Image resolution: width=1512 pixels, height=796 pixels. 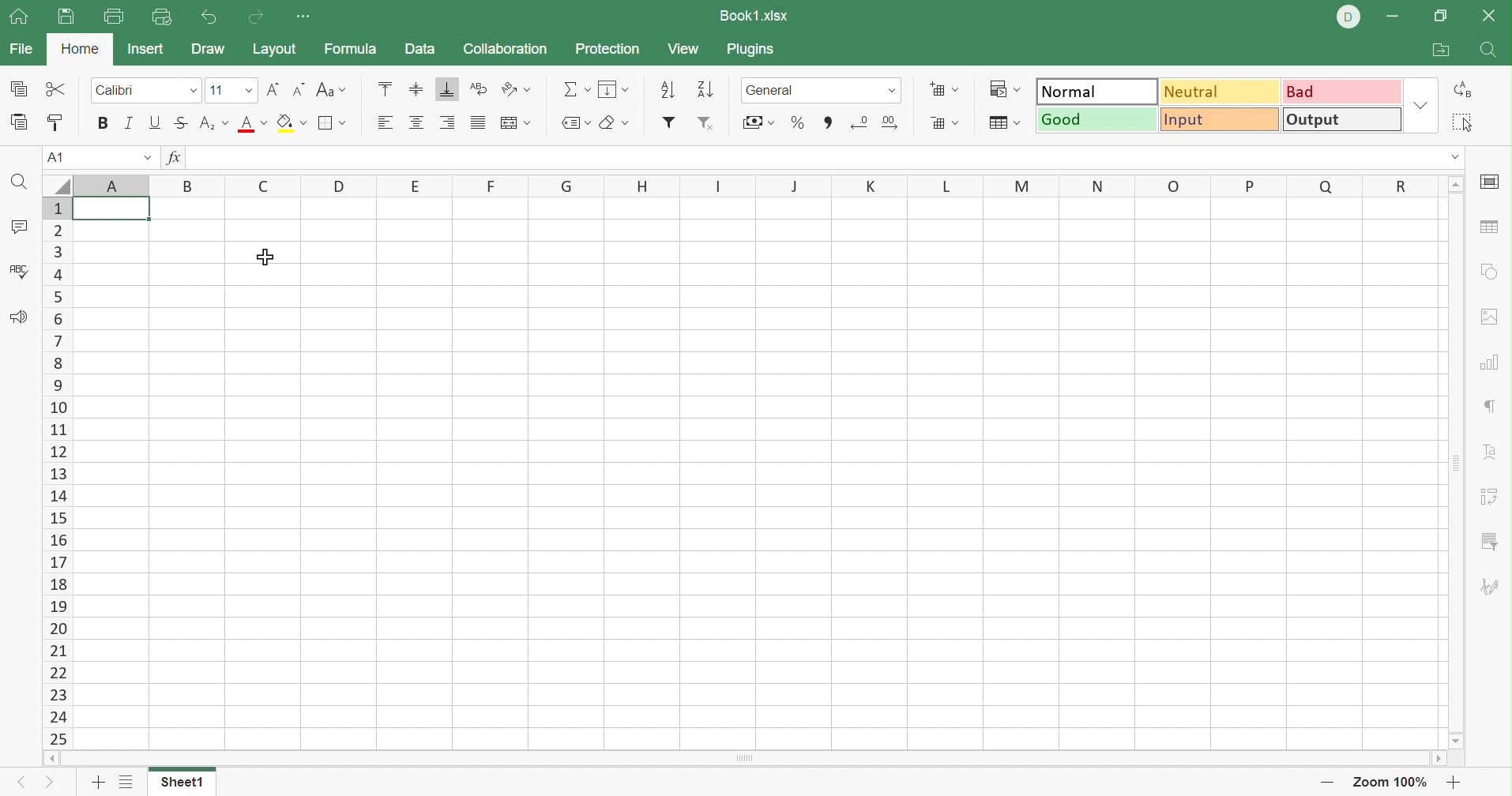 I want to click on File, so click(x=21, y=49).